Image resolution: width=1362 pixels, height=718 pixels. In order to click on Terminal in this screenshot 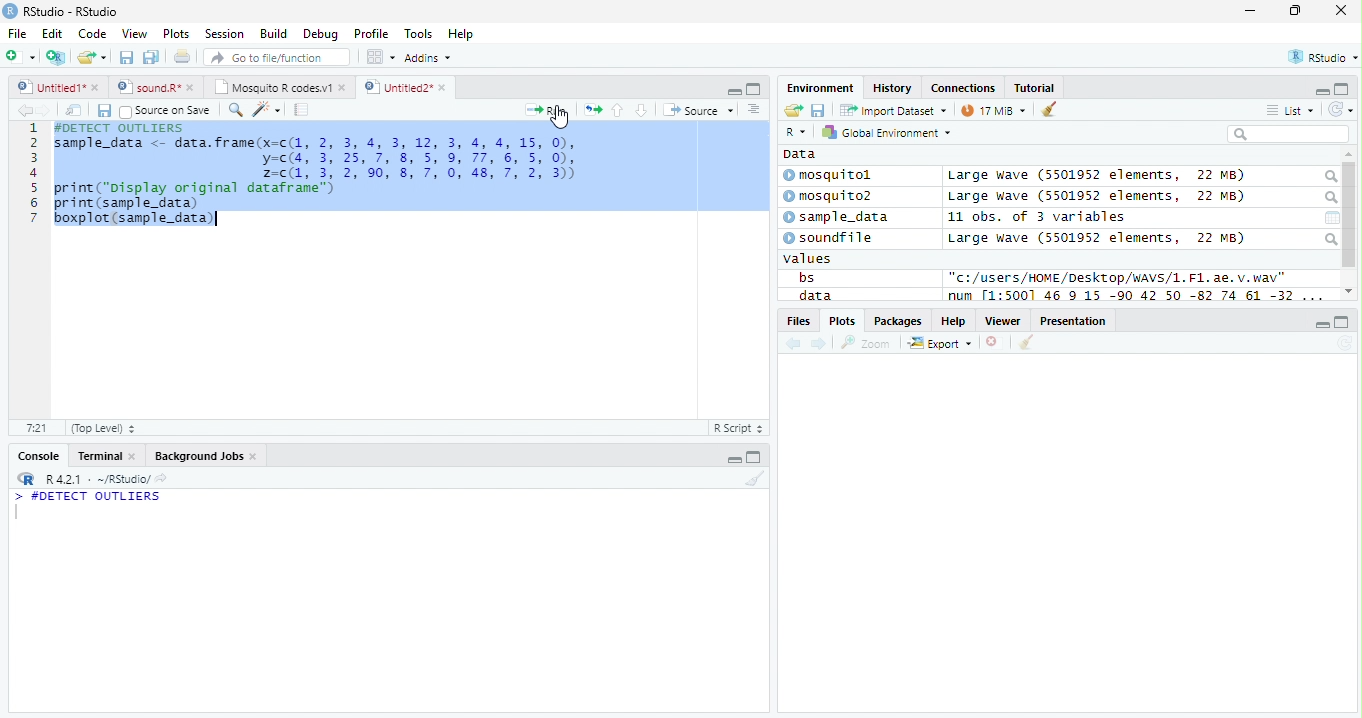, I will do `click(104, 456)`.